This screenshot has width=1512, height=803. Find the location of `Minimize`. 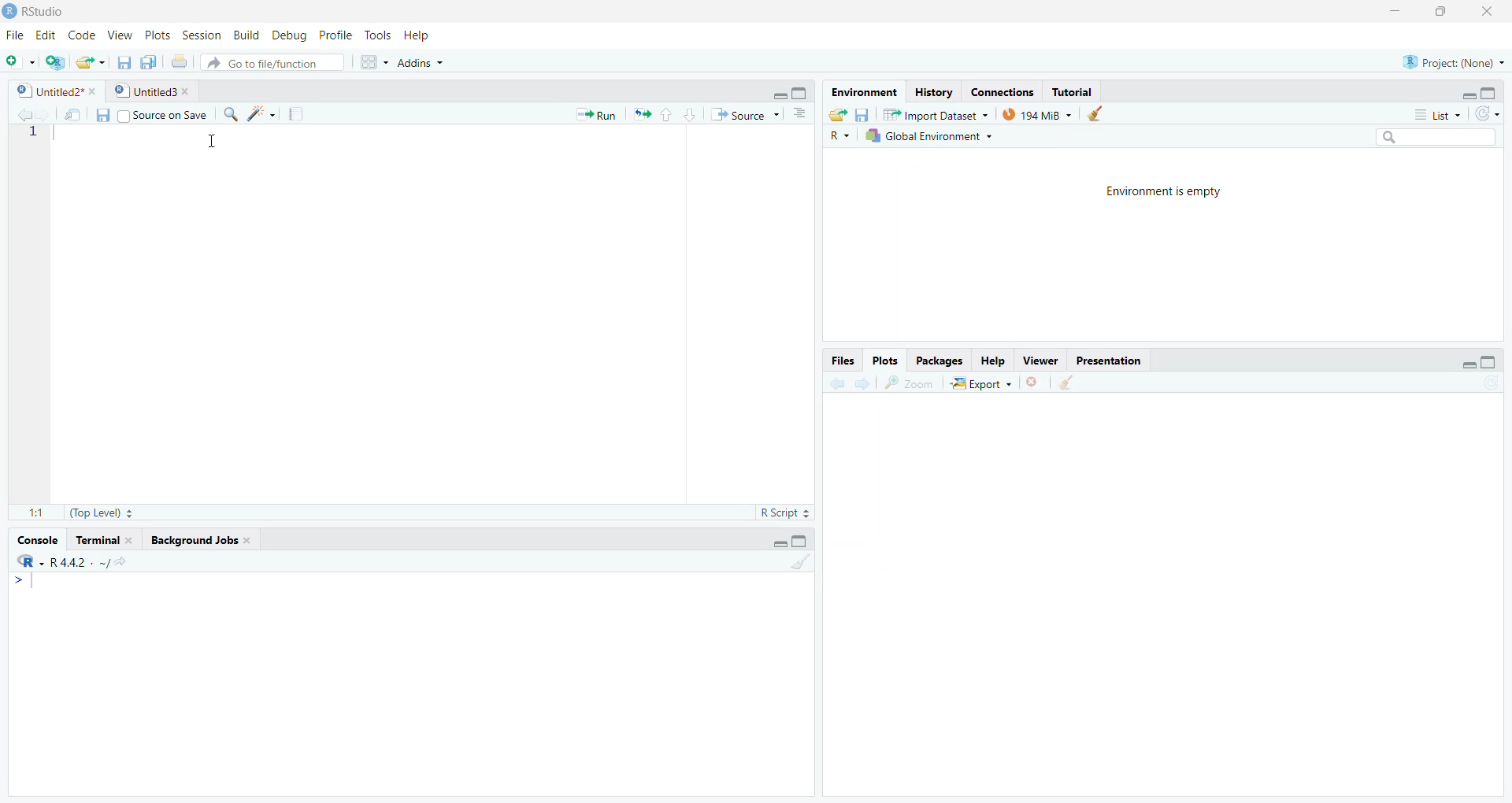

Minimize is located at coordinates (778, 95).